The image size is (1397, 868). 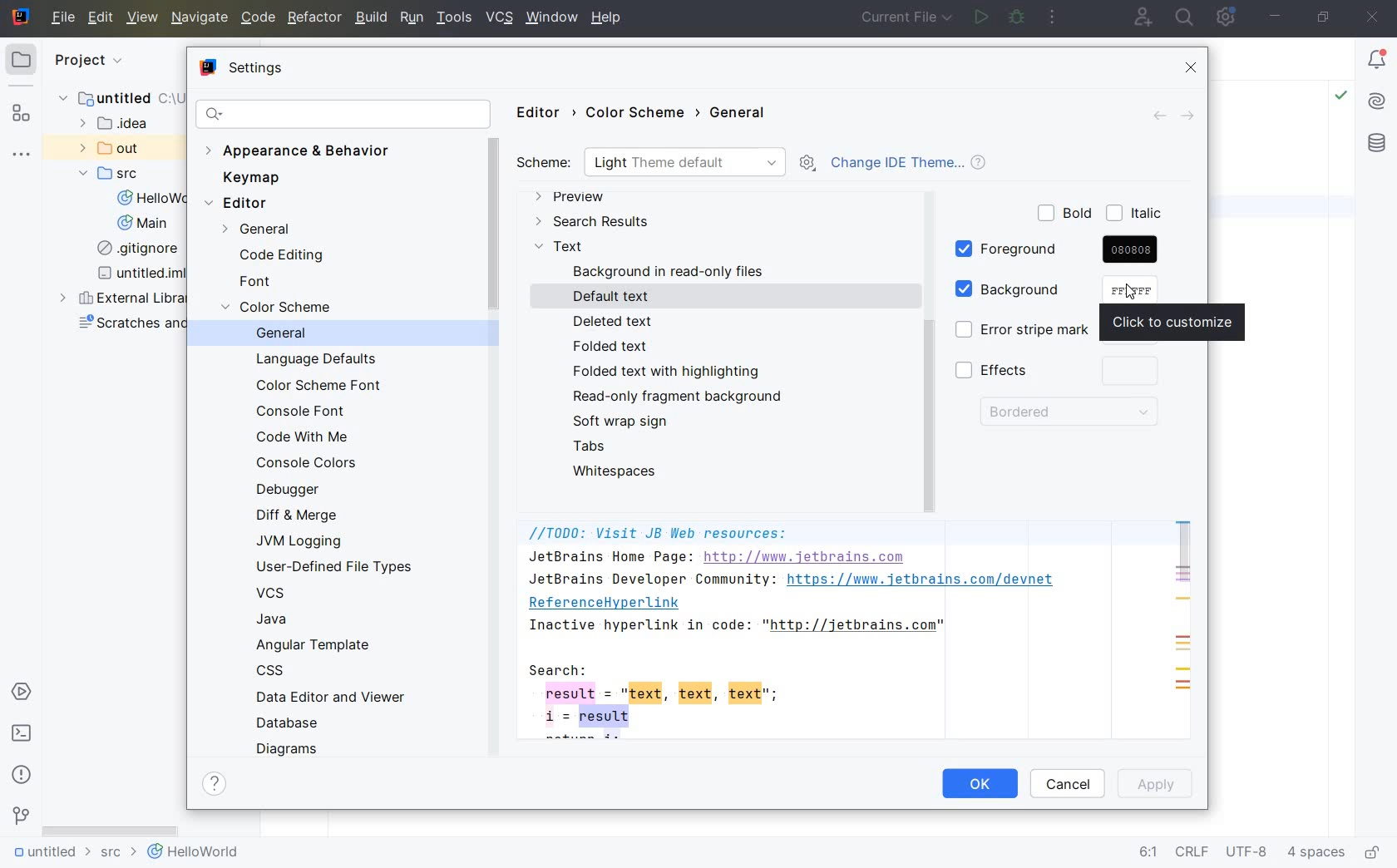 What do you see at coordinates (22, 774) in the screenshot?
I see `problems` at bounding box center [22, 774].